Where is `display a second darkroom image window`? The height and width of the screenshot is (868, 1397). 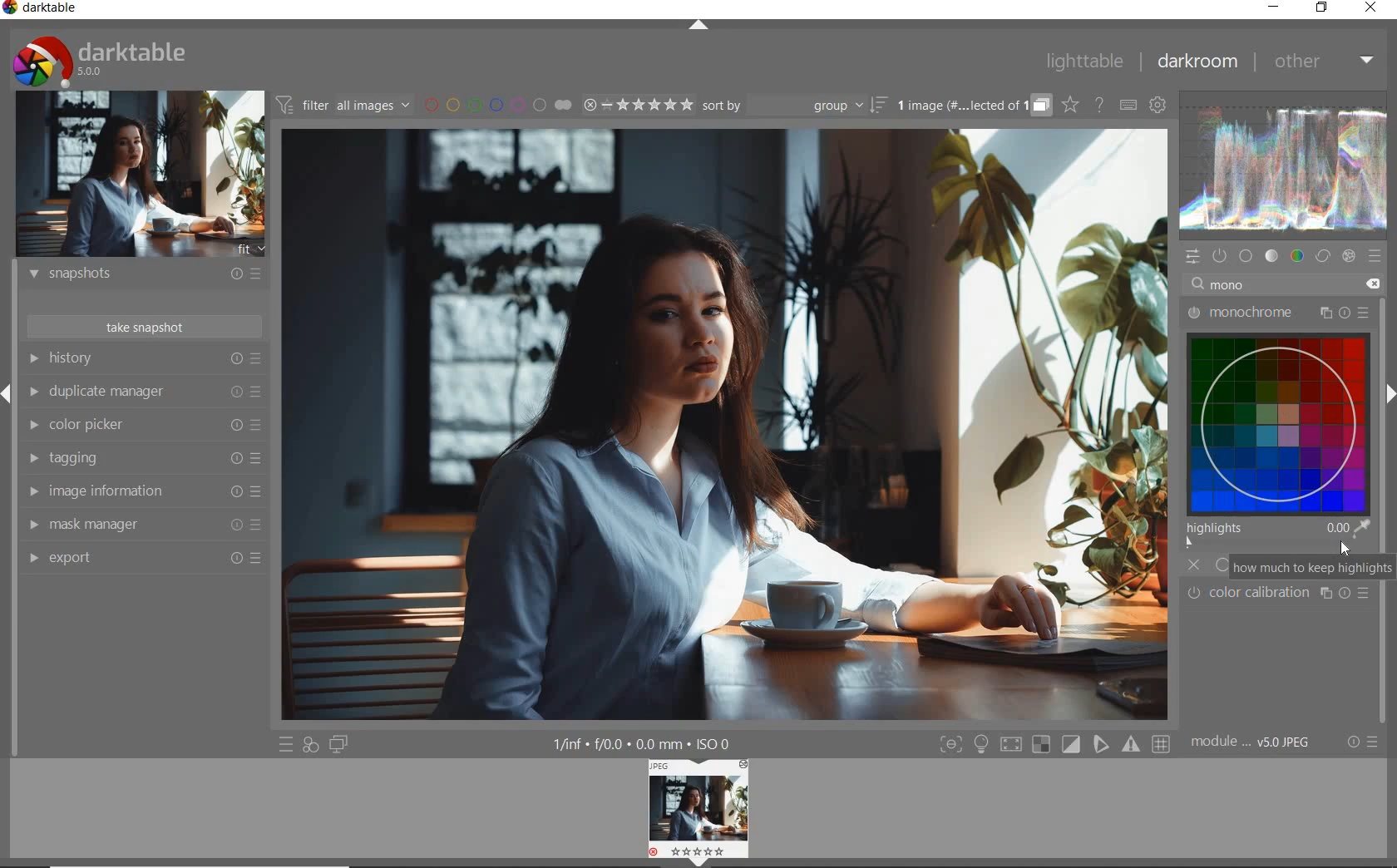
display a second darkroom image window is located at coordinates (338, 742).